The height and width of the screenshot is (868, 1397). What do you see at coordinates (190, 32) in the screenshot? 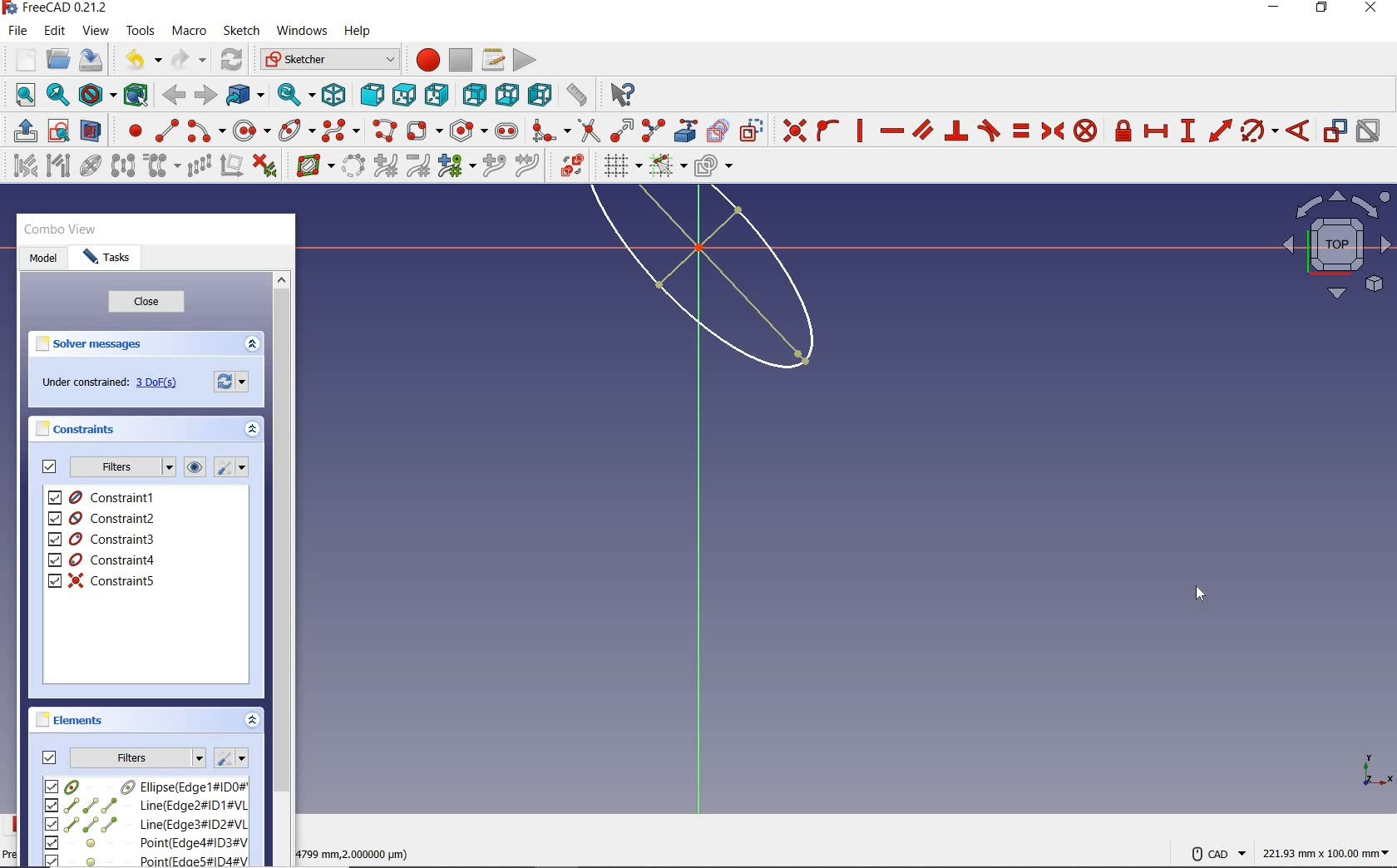
I see `macro` at bounding box center [190, 32].